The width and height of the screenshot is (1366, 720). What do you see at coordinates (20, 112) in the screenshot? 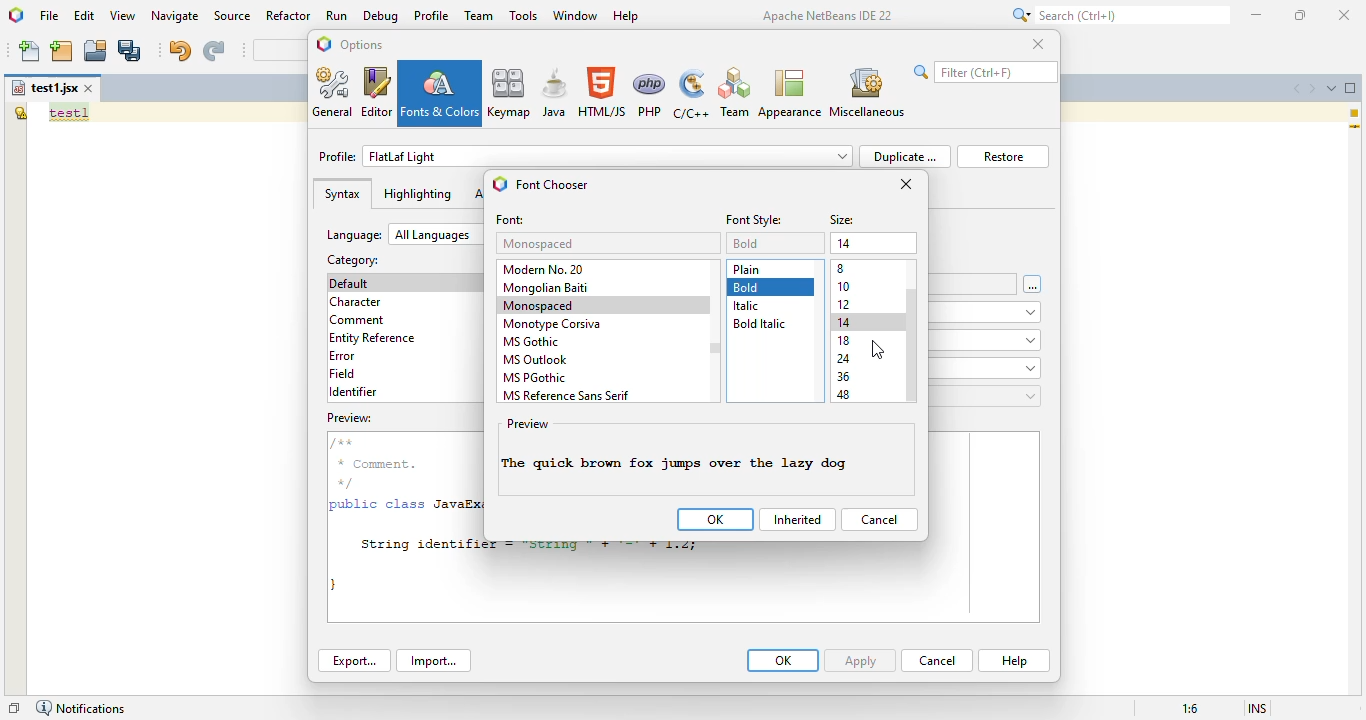
I see `the global variable "test1" is not declared.` at bounding box center [20, 112].